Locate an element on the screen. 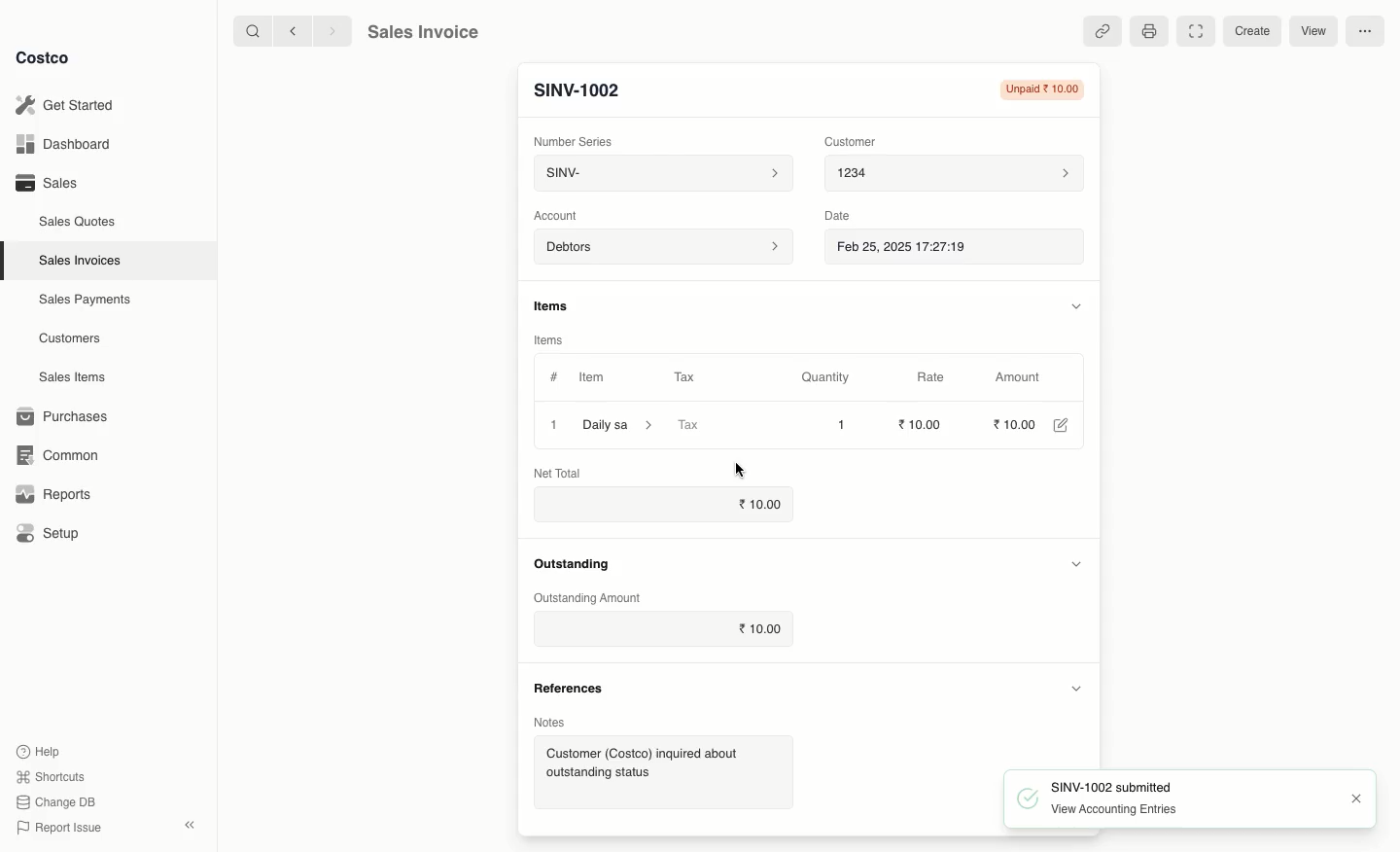 The width and height of the screenshot is (1400, 852). 1 is located at coordinates (838, 425).